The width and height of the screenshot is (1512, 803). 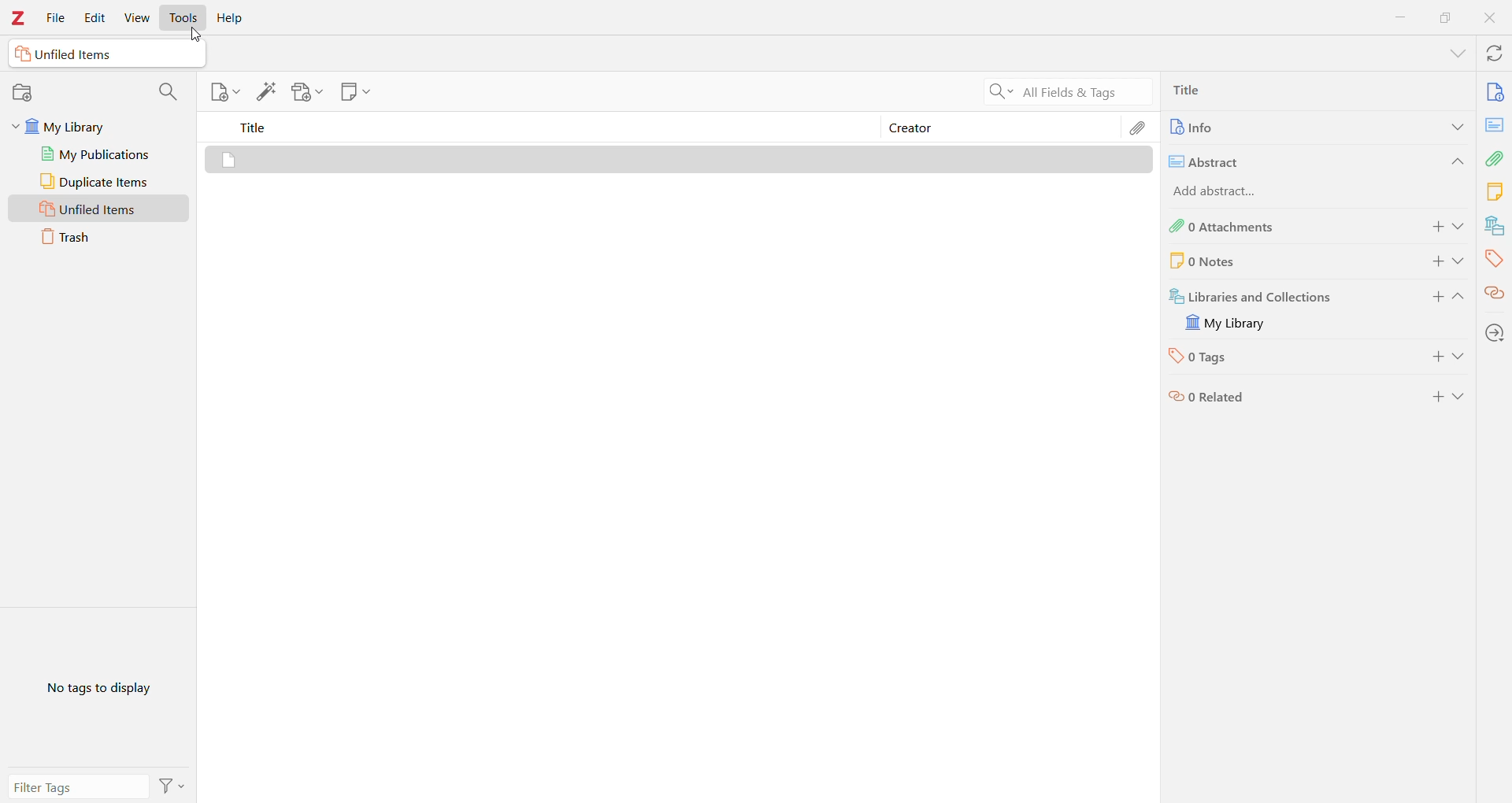 I want to click on Expand Section, so click(x=1459, y=228).